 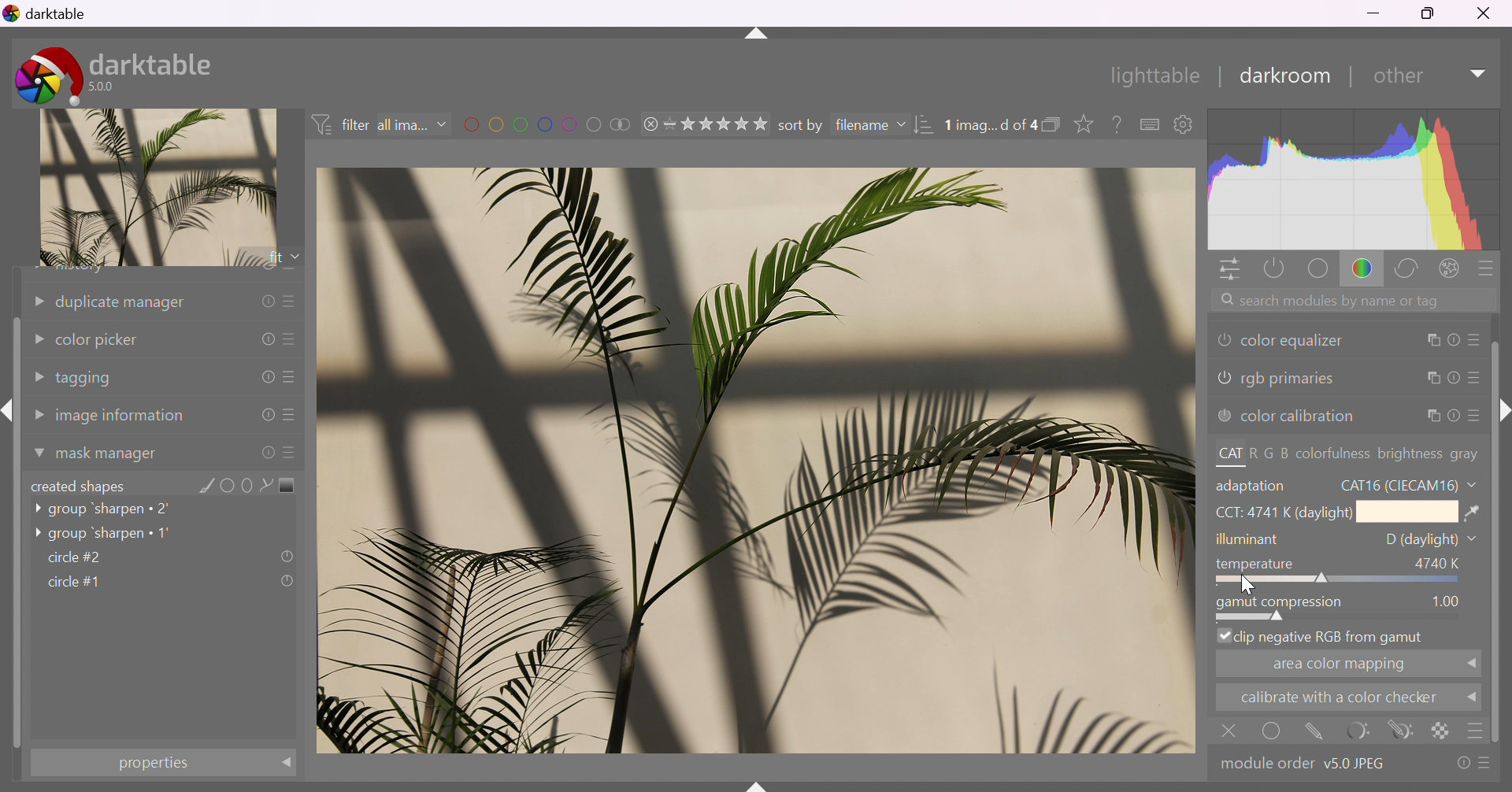 What do you see at coordinates (1440, 733) in the screenshot?
I see `background` at bounding box center [1440, 733].